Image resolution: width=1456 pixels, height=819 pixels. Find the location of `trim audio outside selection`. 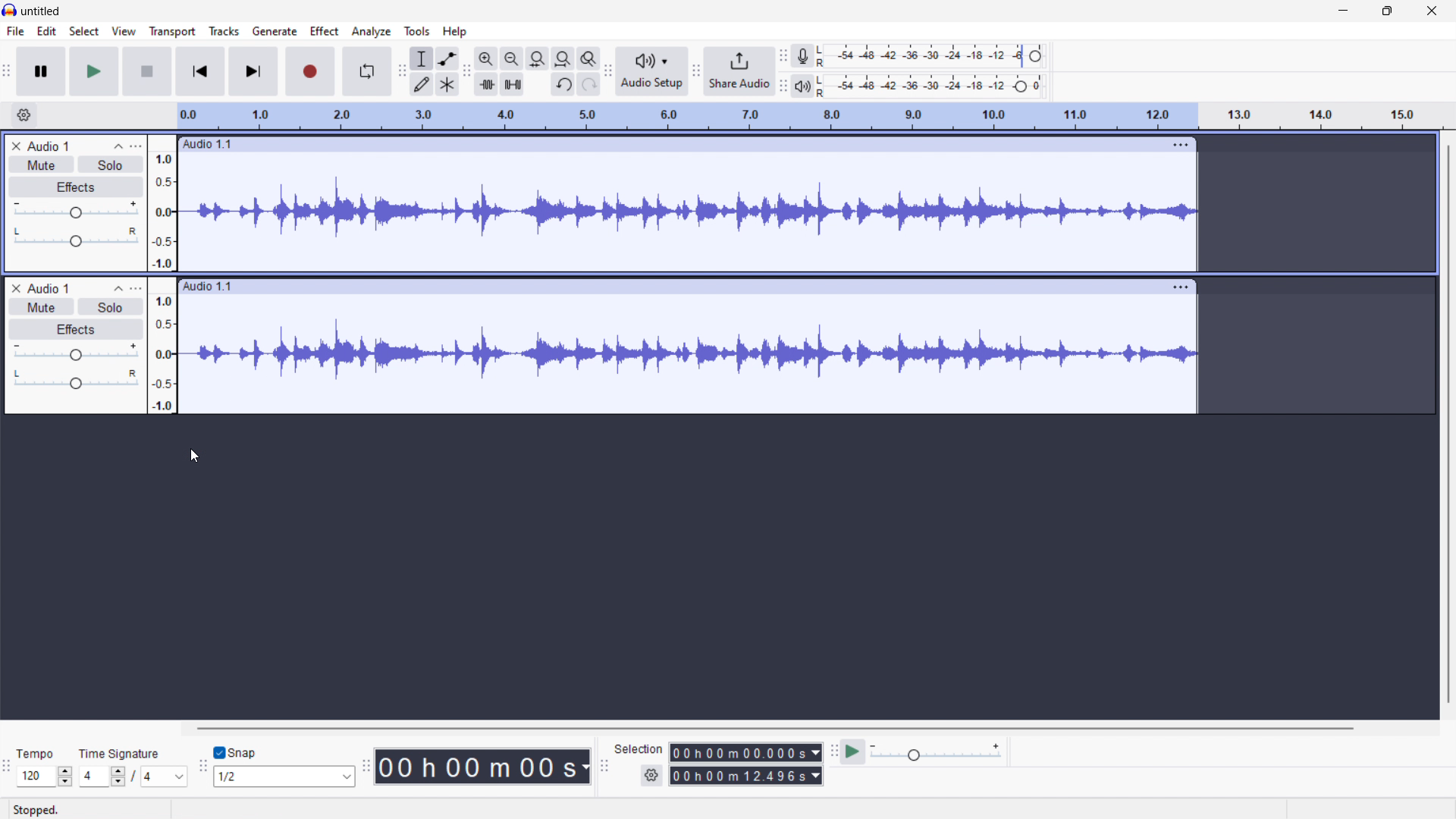

trim audio outside selection is located at coordinates (486, 85).